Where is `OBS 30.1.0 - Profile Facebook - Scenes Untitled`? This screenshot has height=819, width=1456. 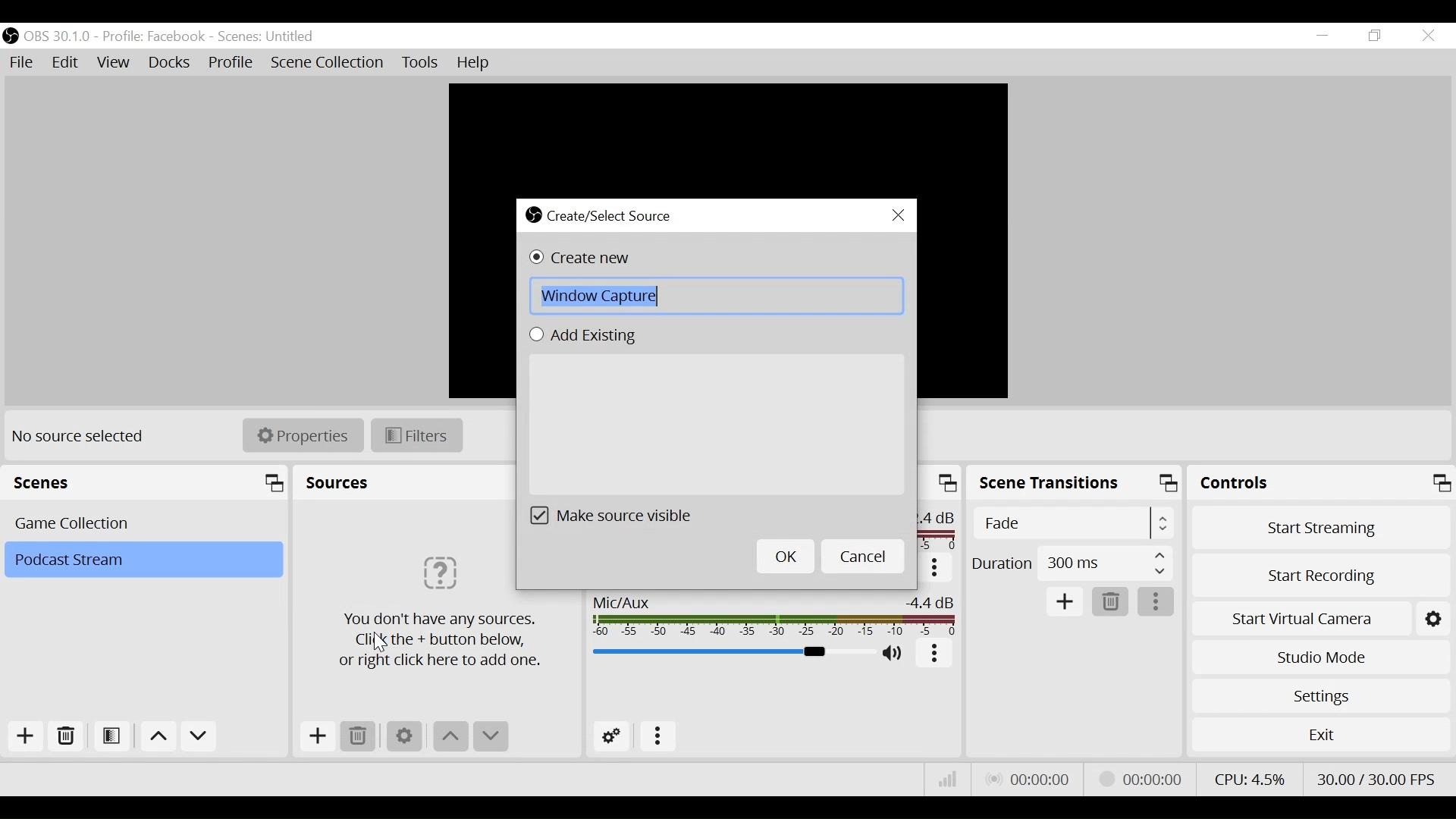 OBS 30.1.0 - Profile Facebook - Scenes Untitled is located at coordinates (173, 36).